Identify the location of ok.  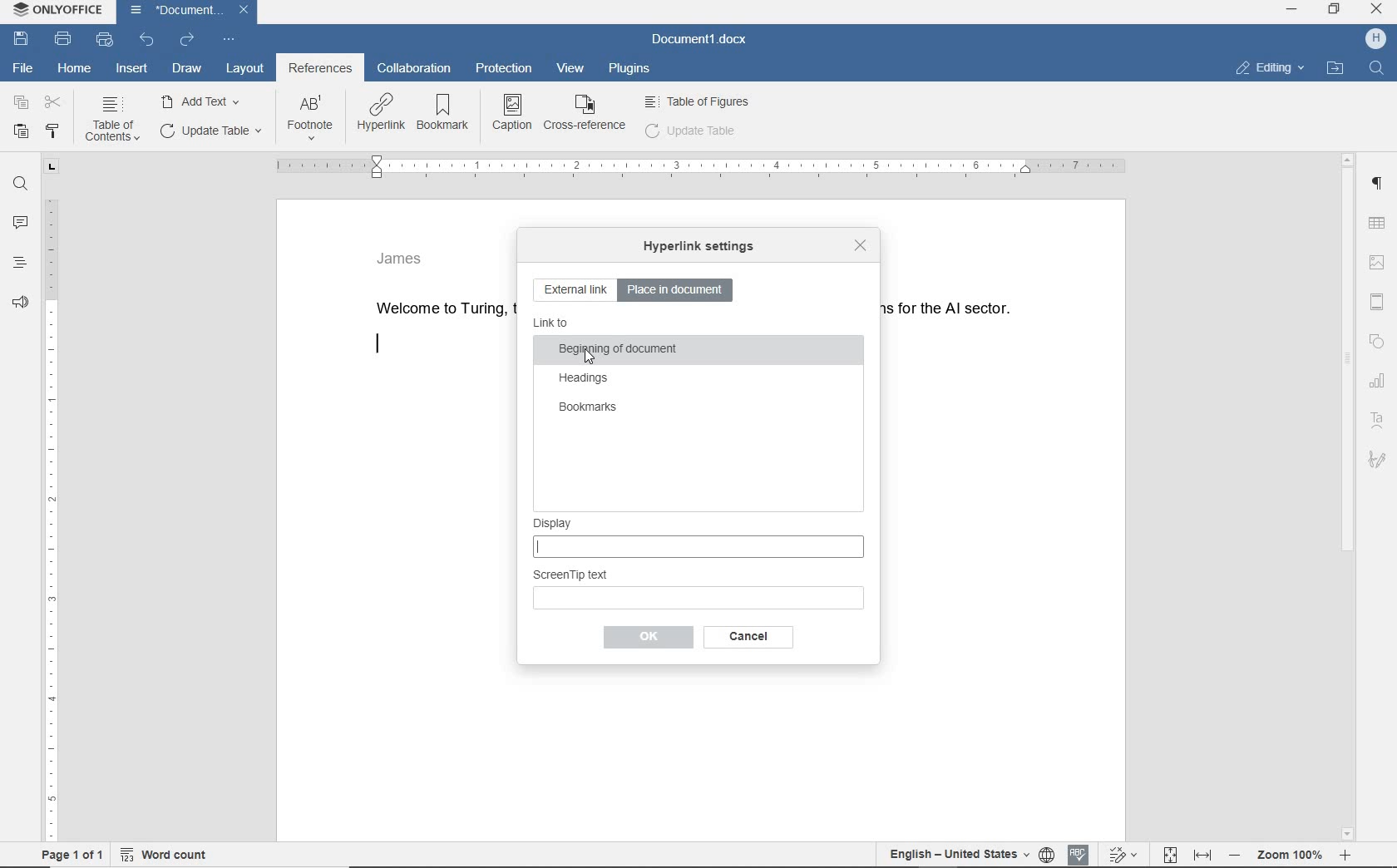
(647, 638).